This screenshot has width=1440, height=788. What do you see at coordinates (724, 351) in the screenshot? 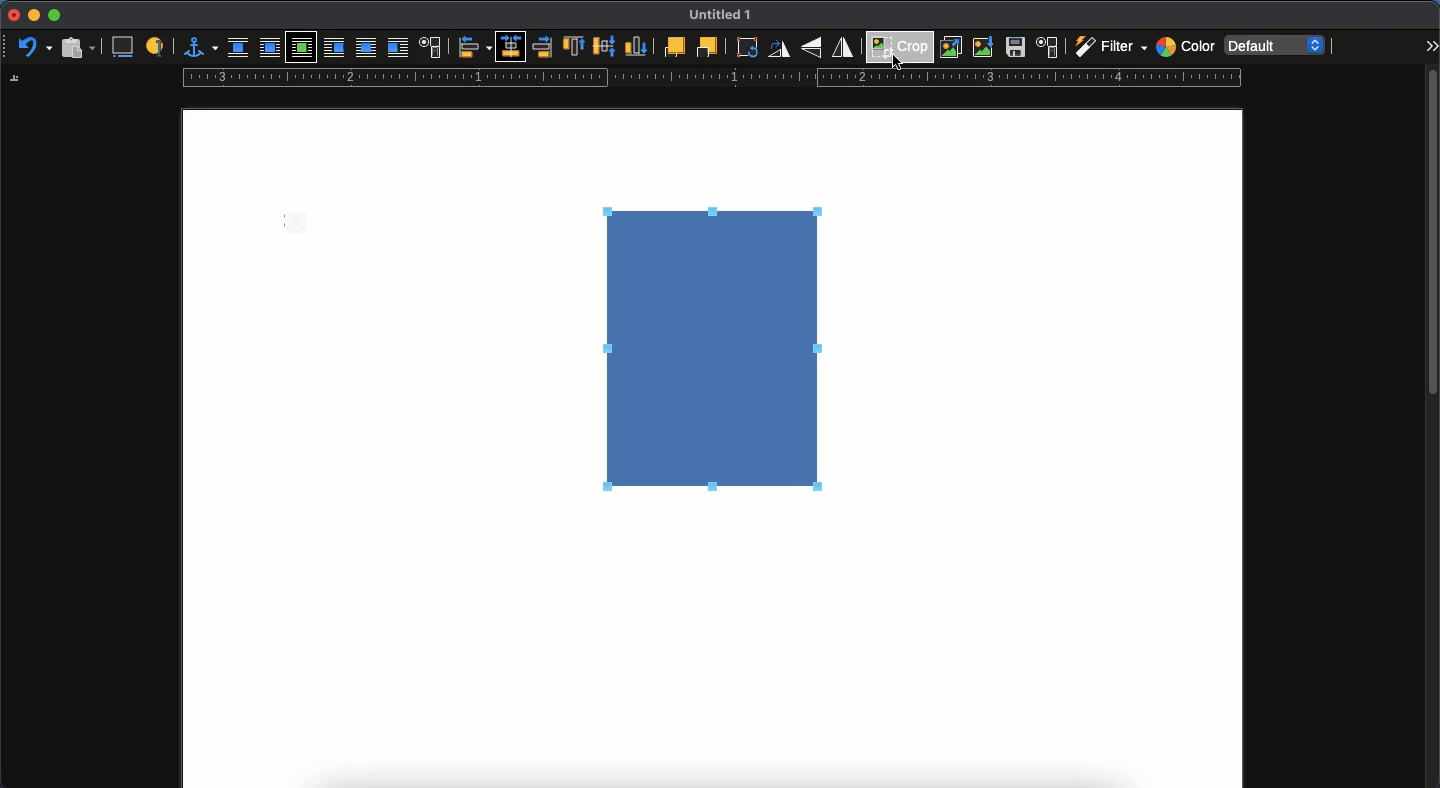
I see `image` at bounding box center [724, 351].